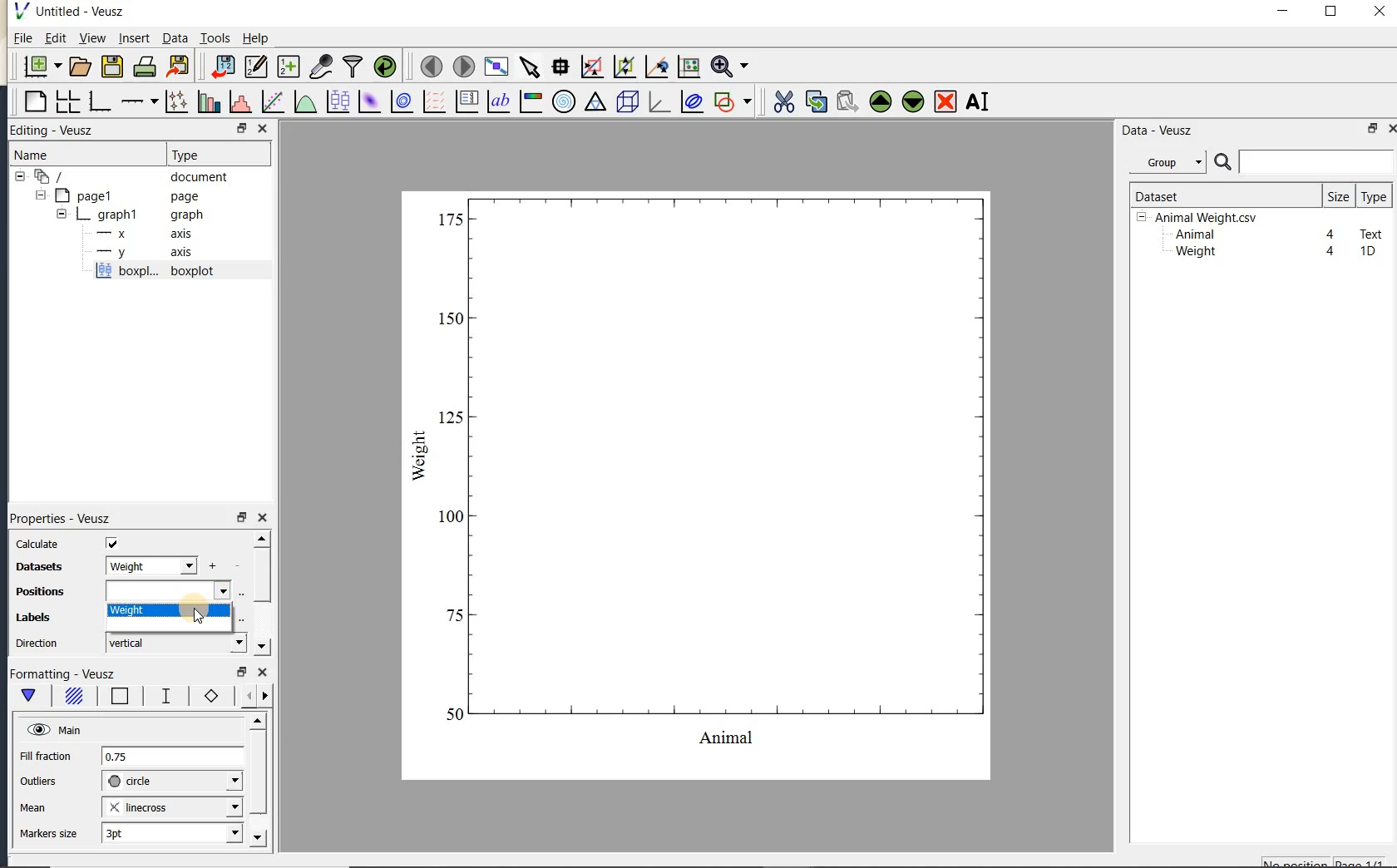 The image size is (1397, 868). What do you see at coordinates (39, 782) in the screenshot?
I see `outliers` at bounding box center [39, 782].